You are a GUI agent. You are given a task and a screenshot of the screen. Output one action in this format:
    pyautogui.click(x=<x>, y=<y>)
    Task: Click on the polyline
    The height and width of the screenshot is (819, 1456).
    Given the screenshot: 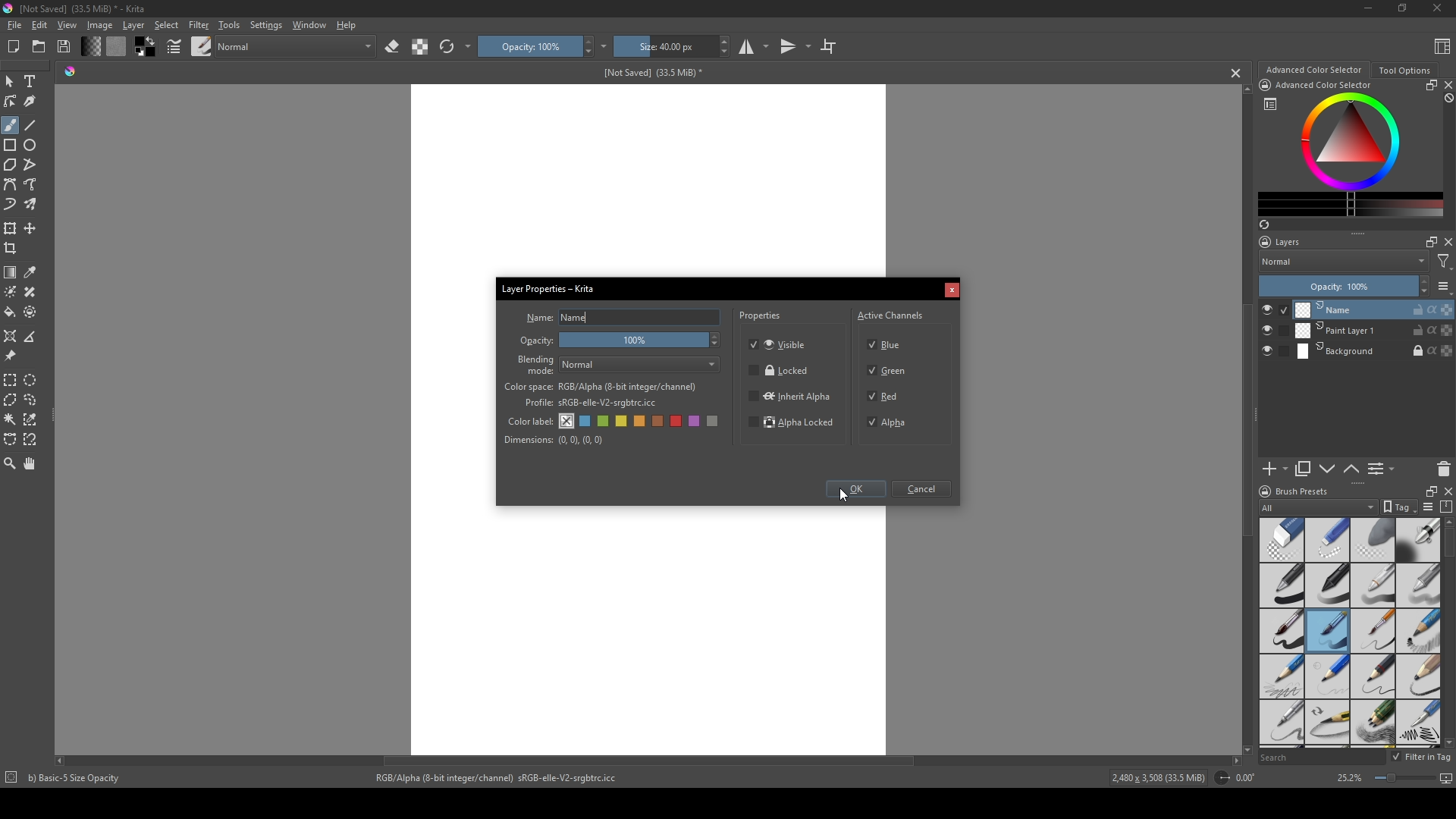 What is the action you would take?
    pyautogui.click(x=32, y=165)
    